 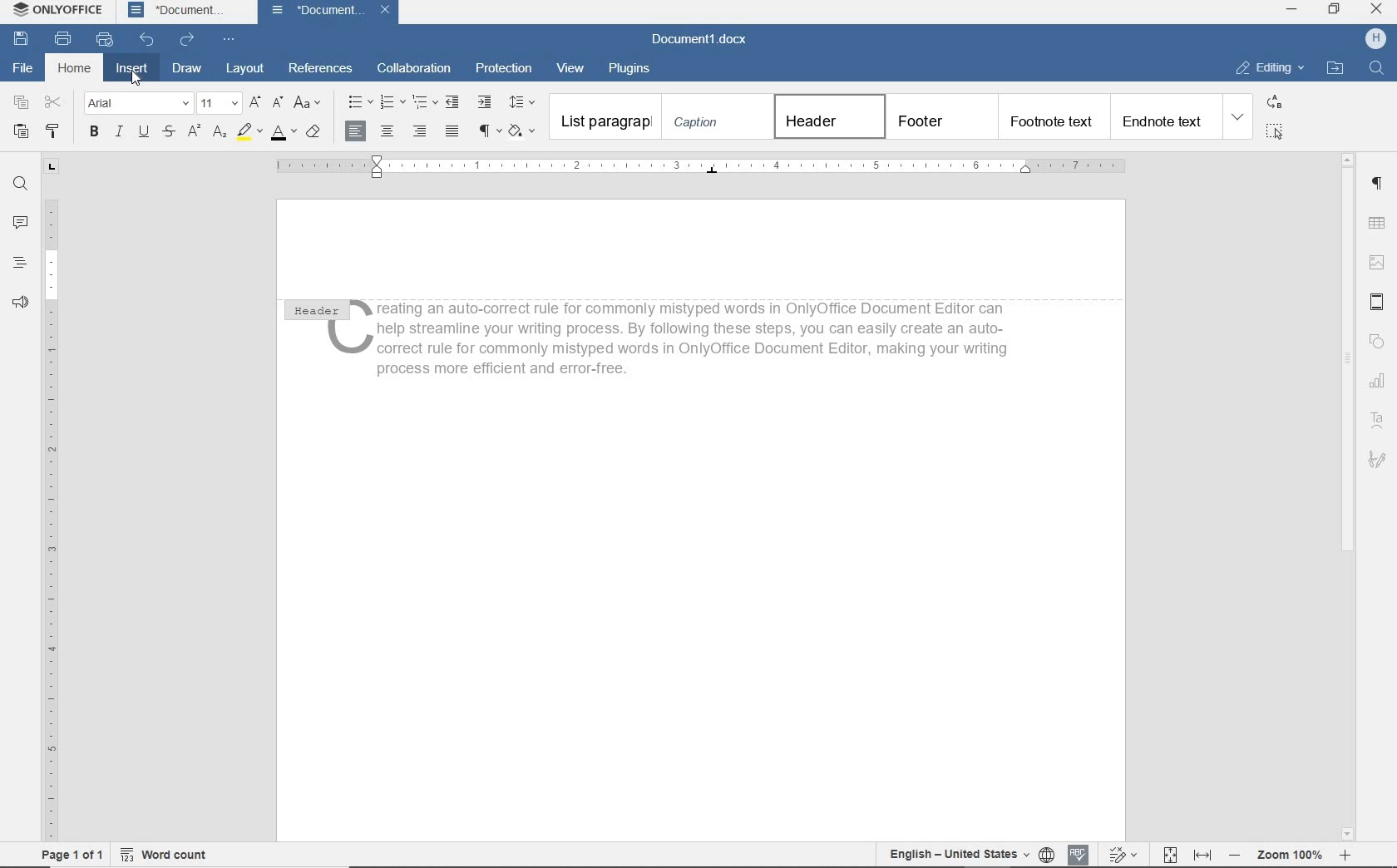 What do you see at coordinates (55, 131) in the screenshot?
I see `COPY STYLE` at bounding box center [55, 131].